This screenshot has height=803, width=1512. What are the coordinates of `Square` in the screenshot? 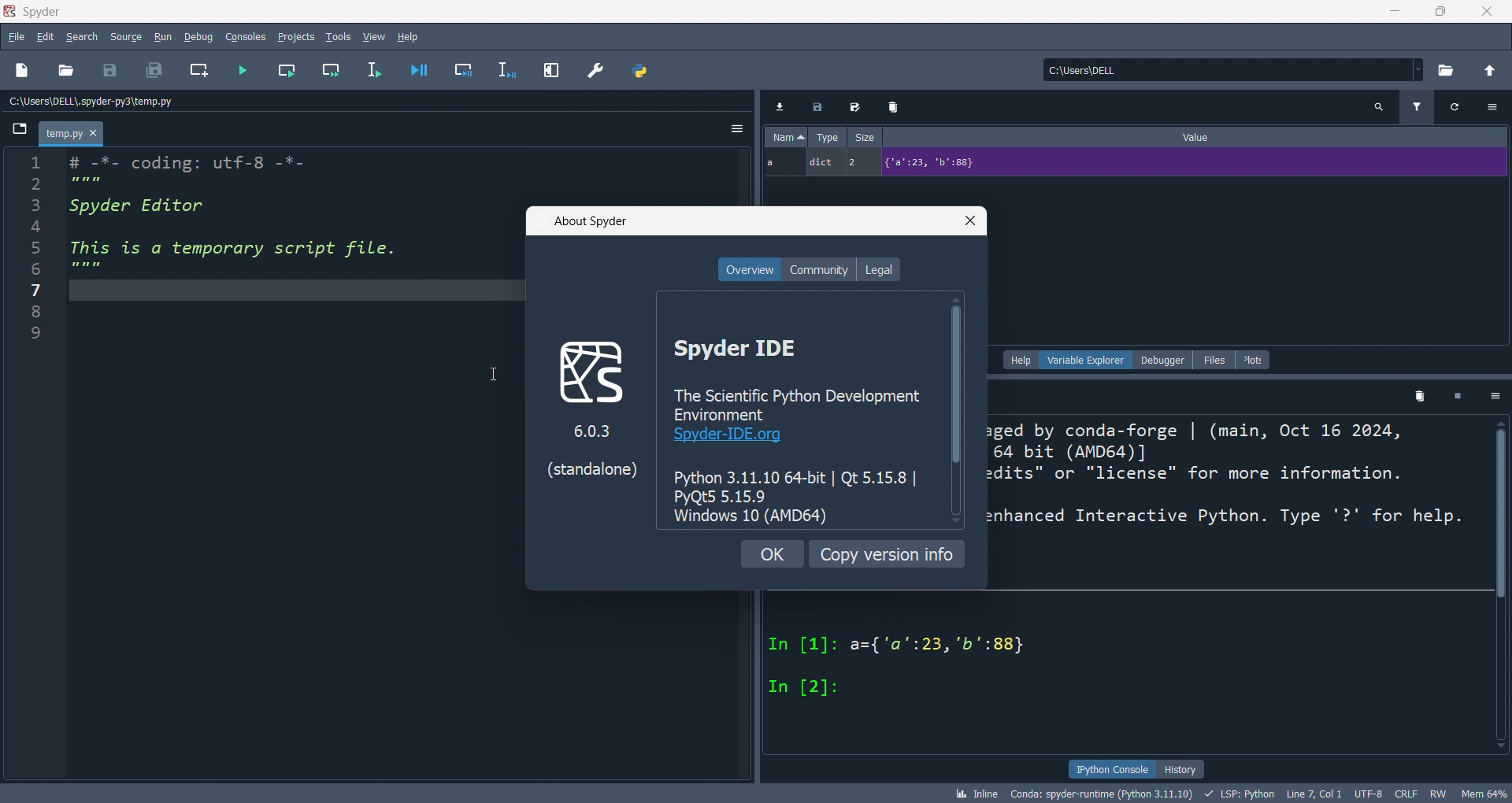 It's located at (1458, 395).